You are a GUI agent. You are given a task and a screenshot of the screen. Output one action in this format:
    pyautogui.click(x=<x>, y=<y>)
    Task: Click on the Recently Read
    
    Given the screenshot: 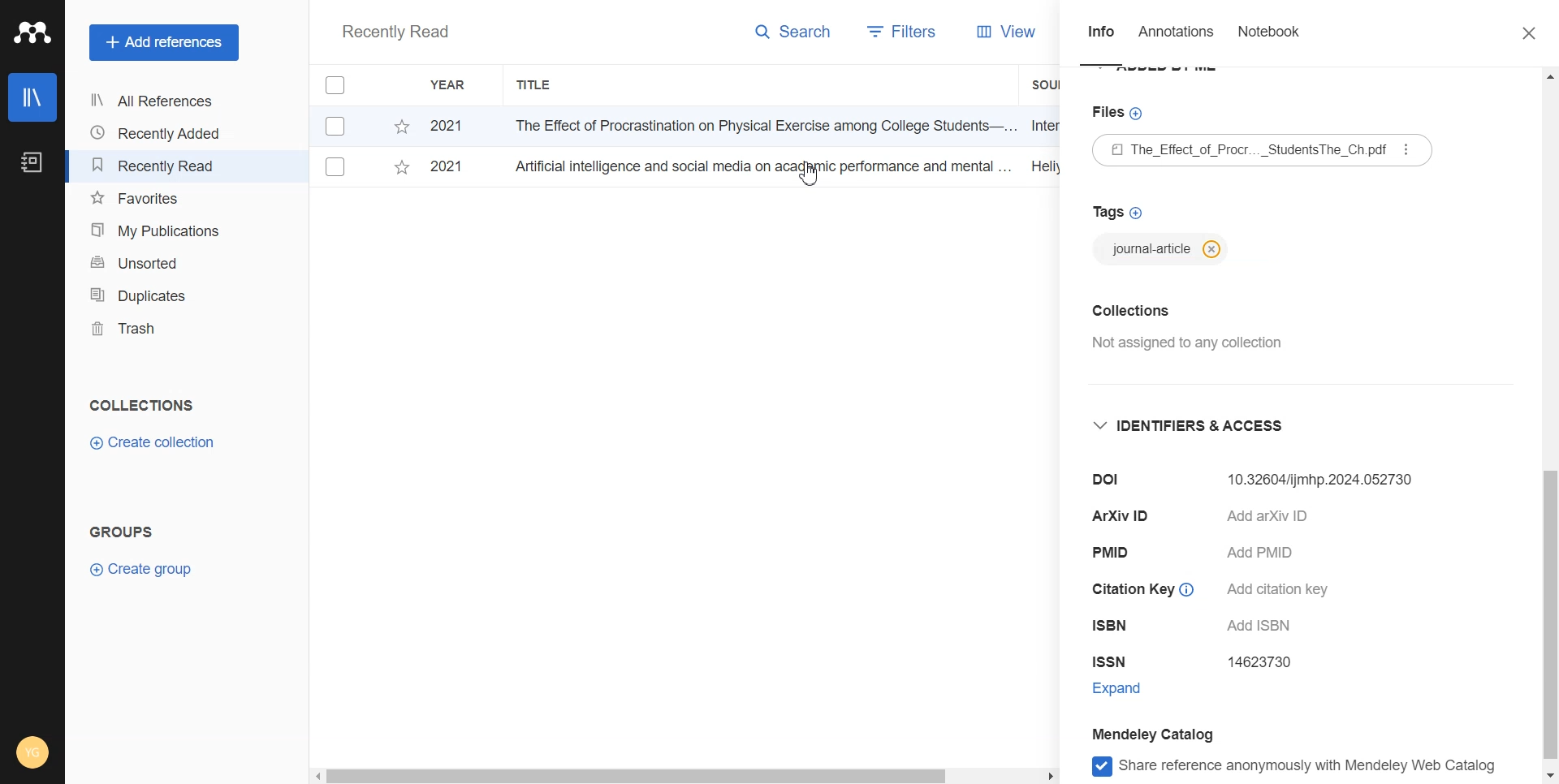 What is the action you would take?
    pyautogui.click(x=158, y=166)
    